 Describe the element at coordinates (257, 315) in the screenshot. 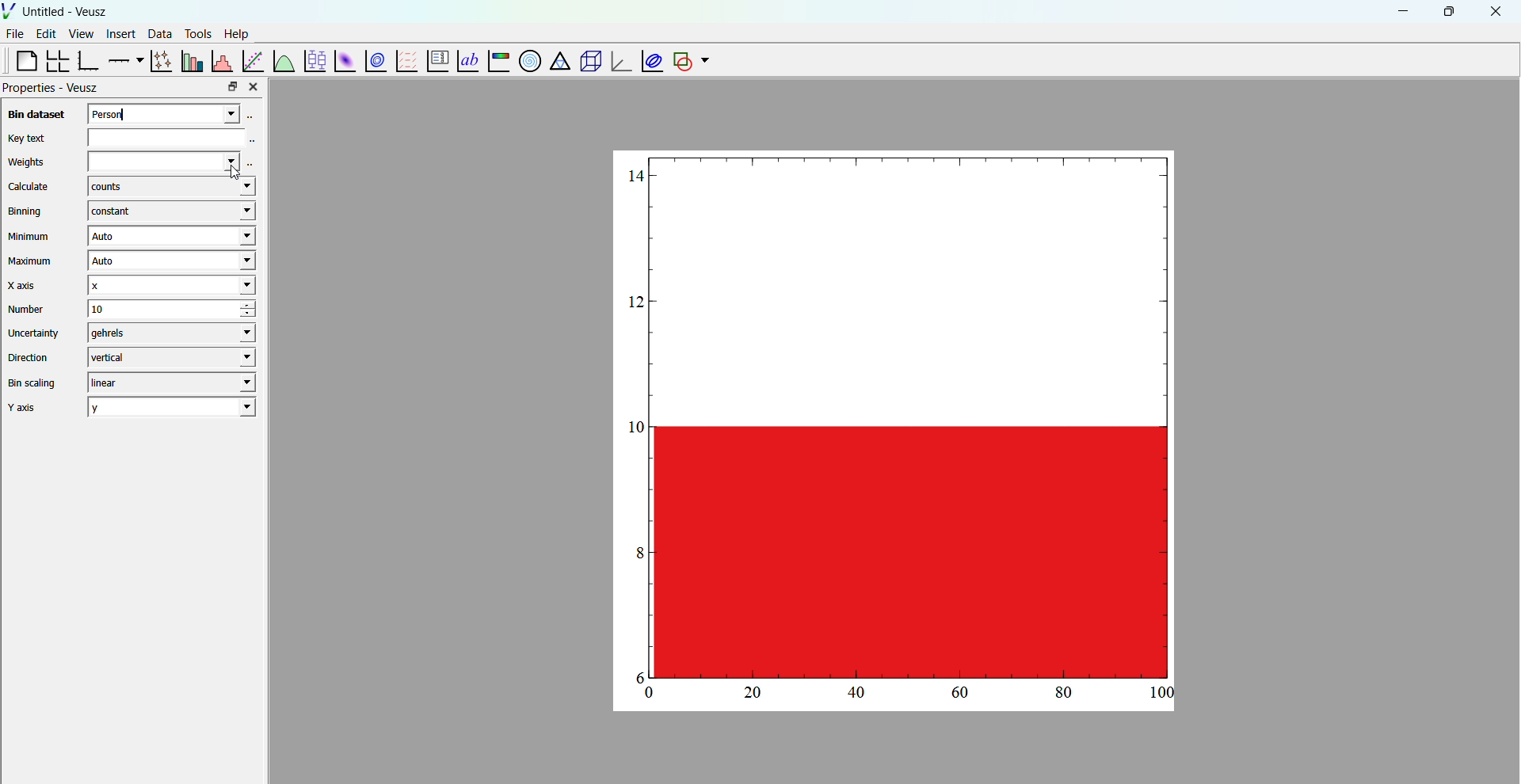

I see `decrease number` at that location.